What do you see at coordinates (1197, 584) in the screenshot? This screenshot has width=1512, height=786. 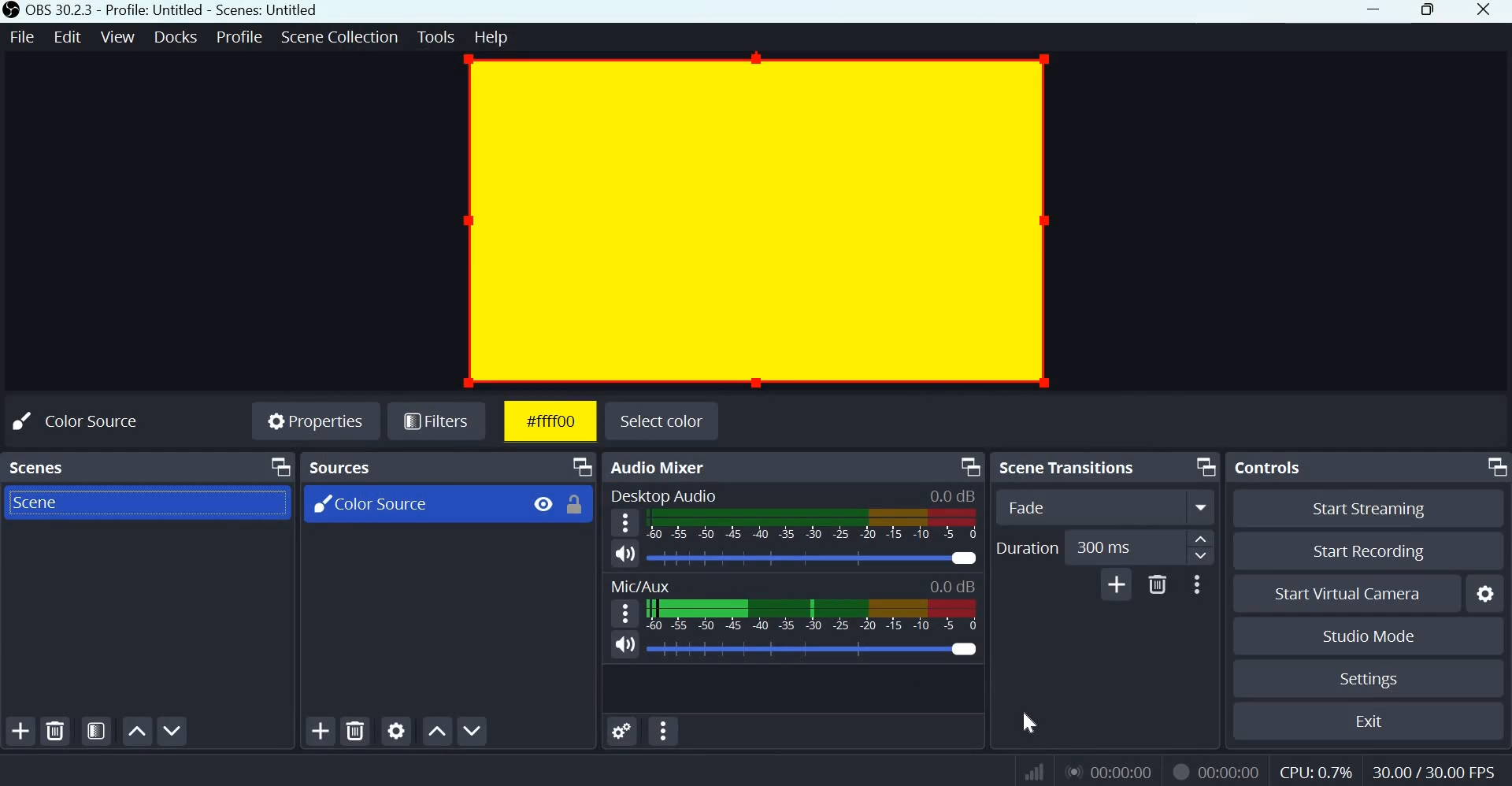 I see `More options` at bounding box center [1197, 584].